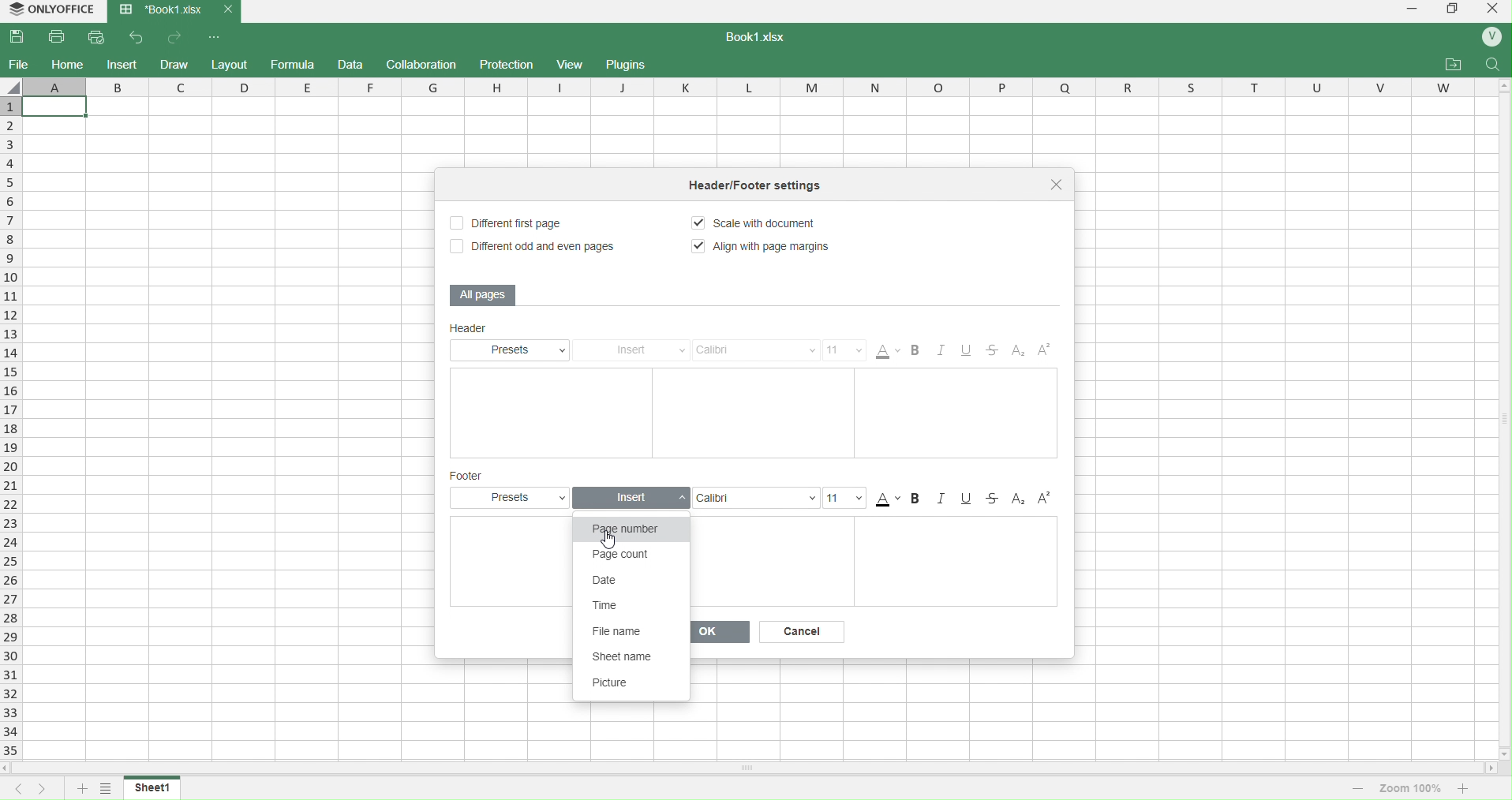 This screenshot has width=1512, height=800. Describe the element at coordinates (759, 86) in the screenshot. I see `column` at that location.